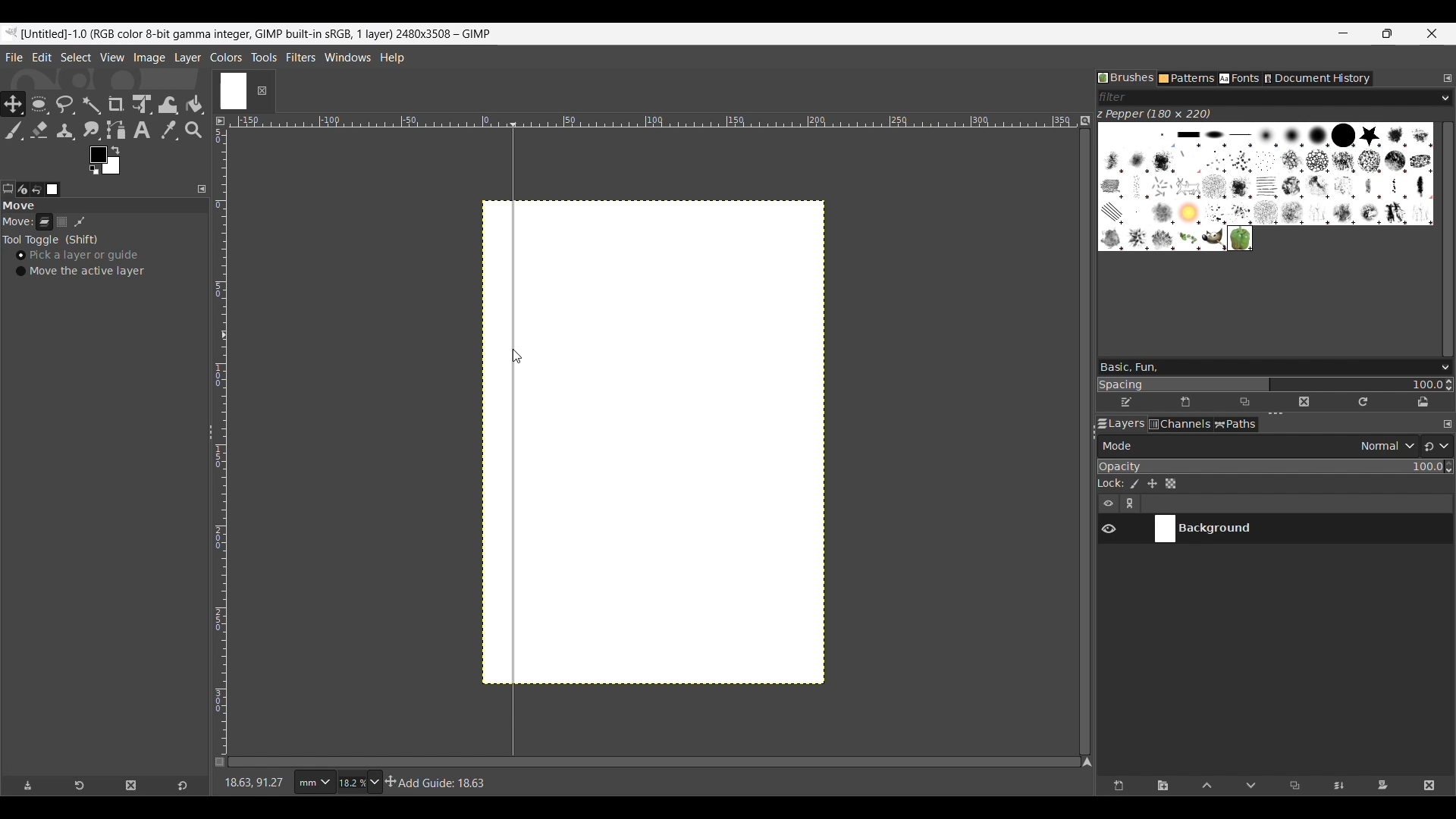 This screenshot has height=819, width=1456. What do you see at coordinates (1448, 467) in the screenshot?
I see `Increase/Decrease opacity` at bounding box center [1448, 467].